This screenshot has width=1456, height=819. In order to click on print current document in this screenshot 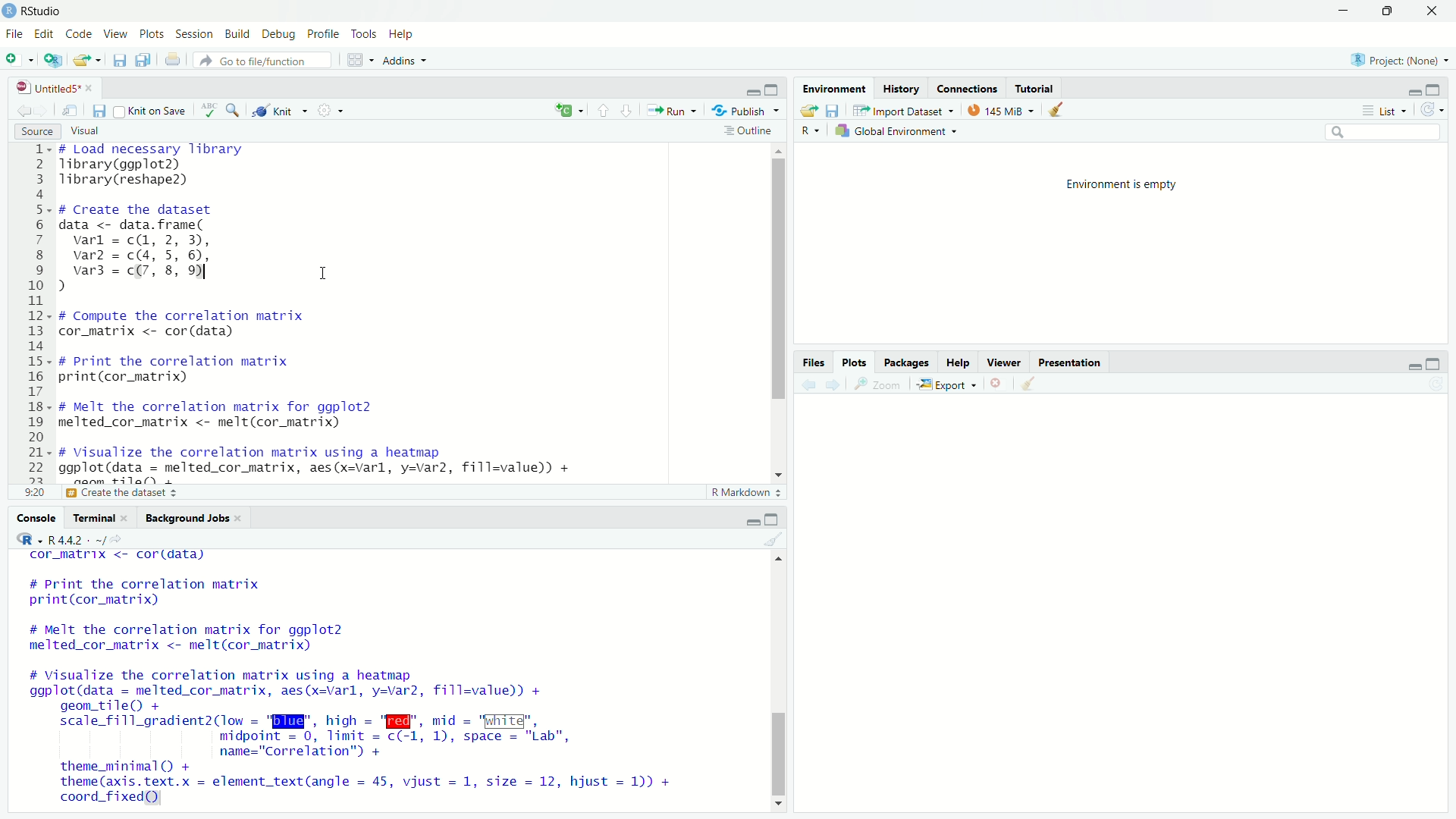, I will do `click(173, 60)`.